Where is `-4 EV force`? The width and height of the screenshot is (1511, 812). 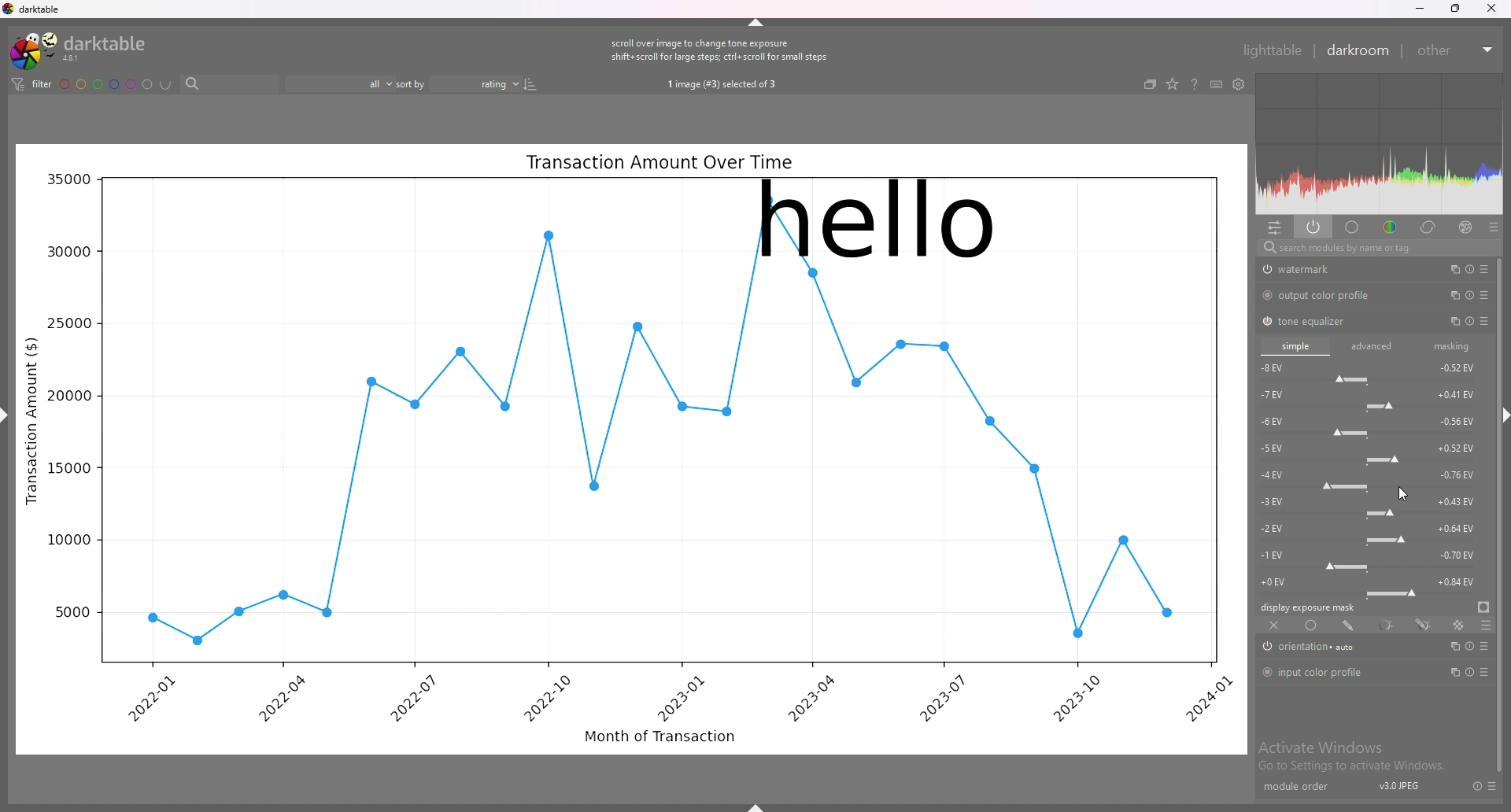
-4 EV force is located at coordinates (1371, 479).